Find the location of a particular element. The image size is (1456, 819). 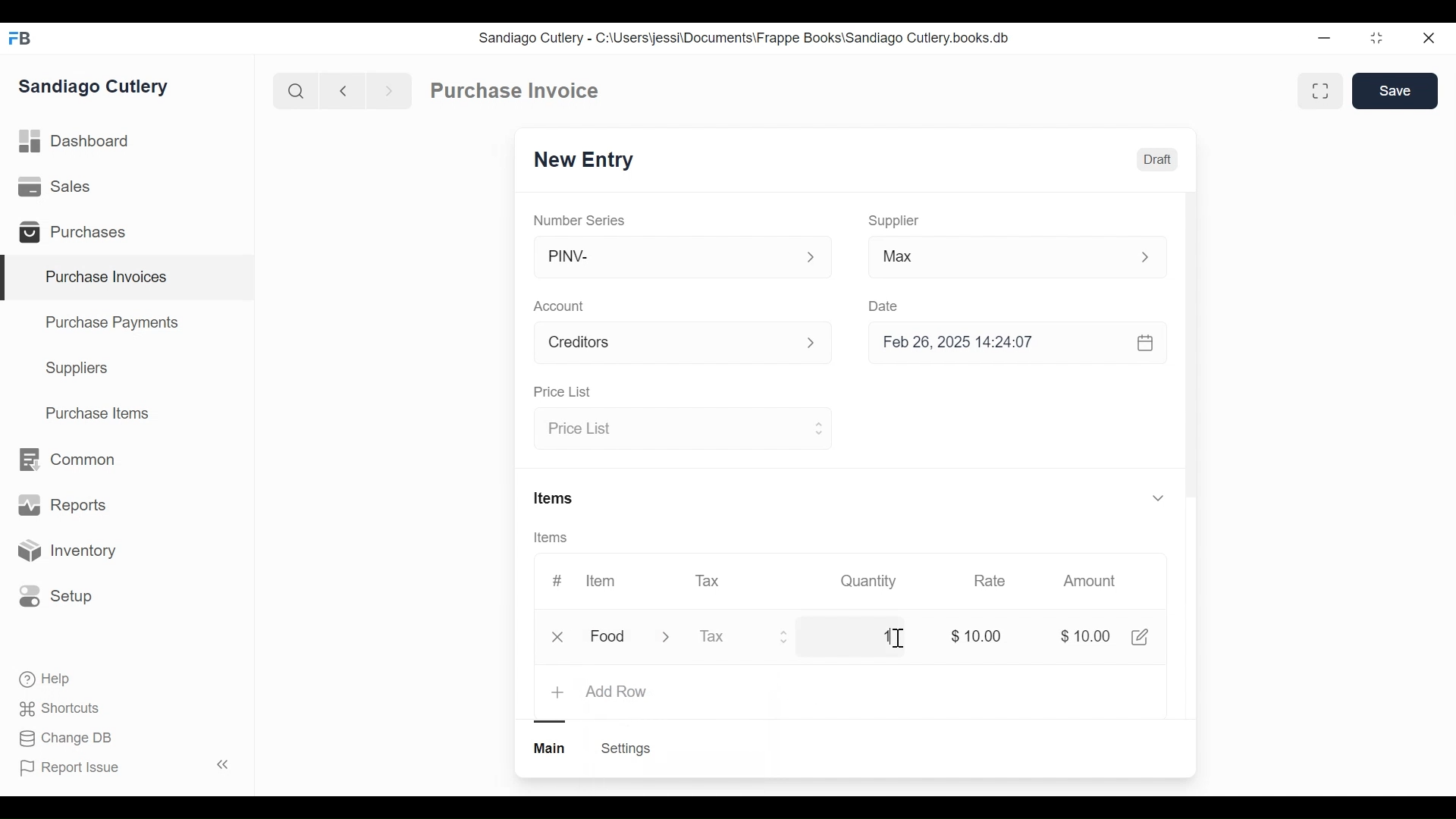

Change DB is located at coordinates (68, 739).